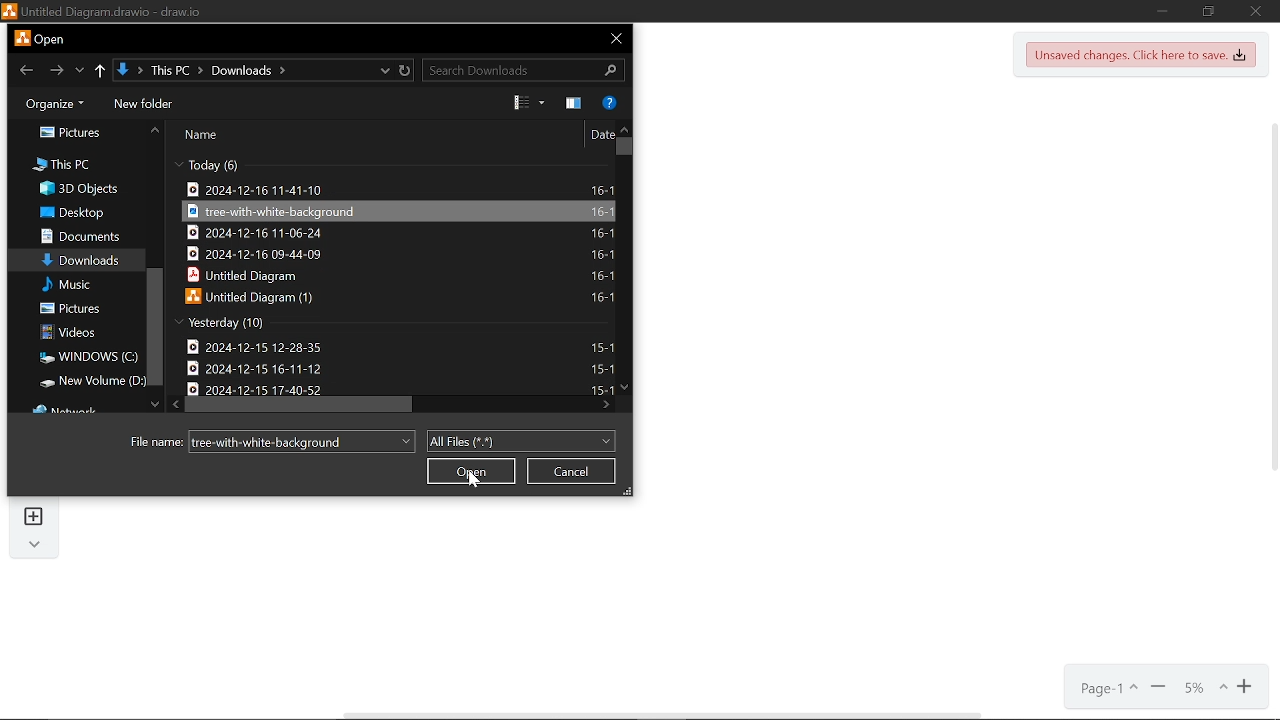 Image resolution: width=1280 pixels, height=720 pixels. I want to click on Creation date, so click(254, 324).